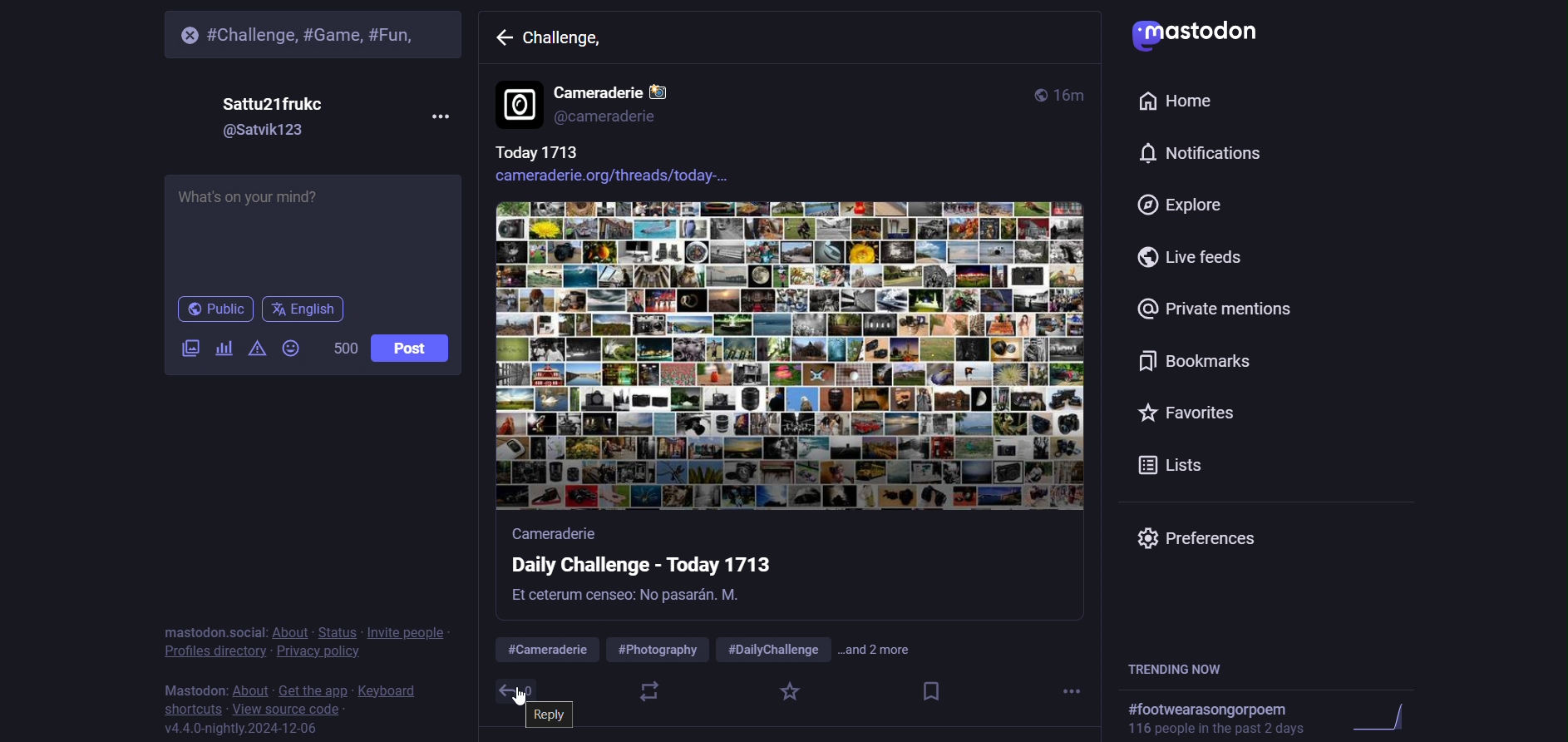 The image size is (1568, 742). I want to click on about, so click(251, 686).